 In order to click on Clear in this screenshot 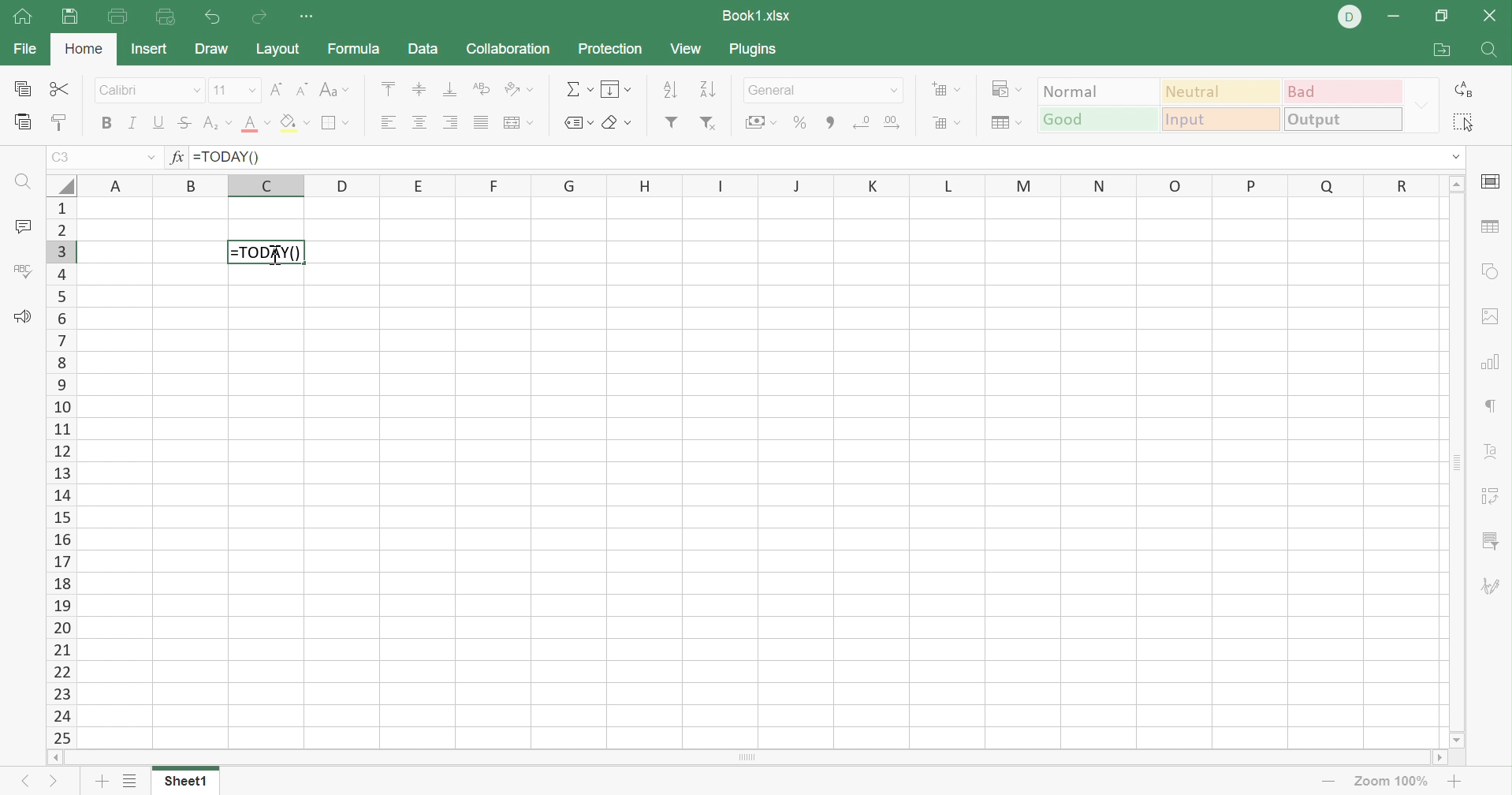, I will do `click(617, 123)`.